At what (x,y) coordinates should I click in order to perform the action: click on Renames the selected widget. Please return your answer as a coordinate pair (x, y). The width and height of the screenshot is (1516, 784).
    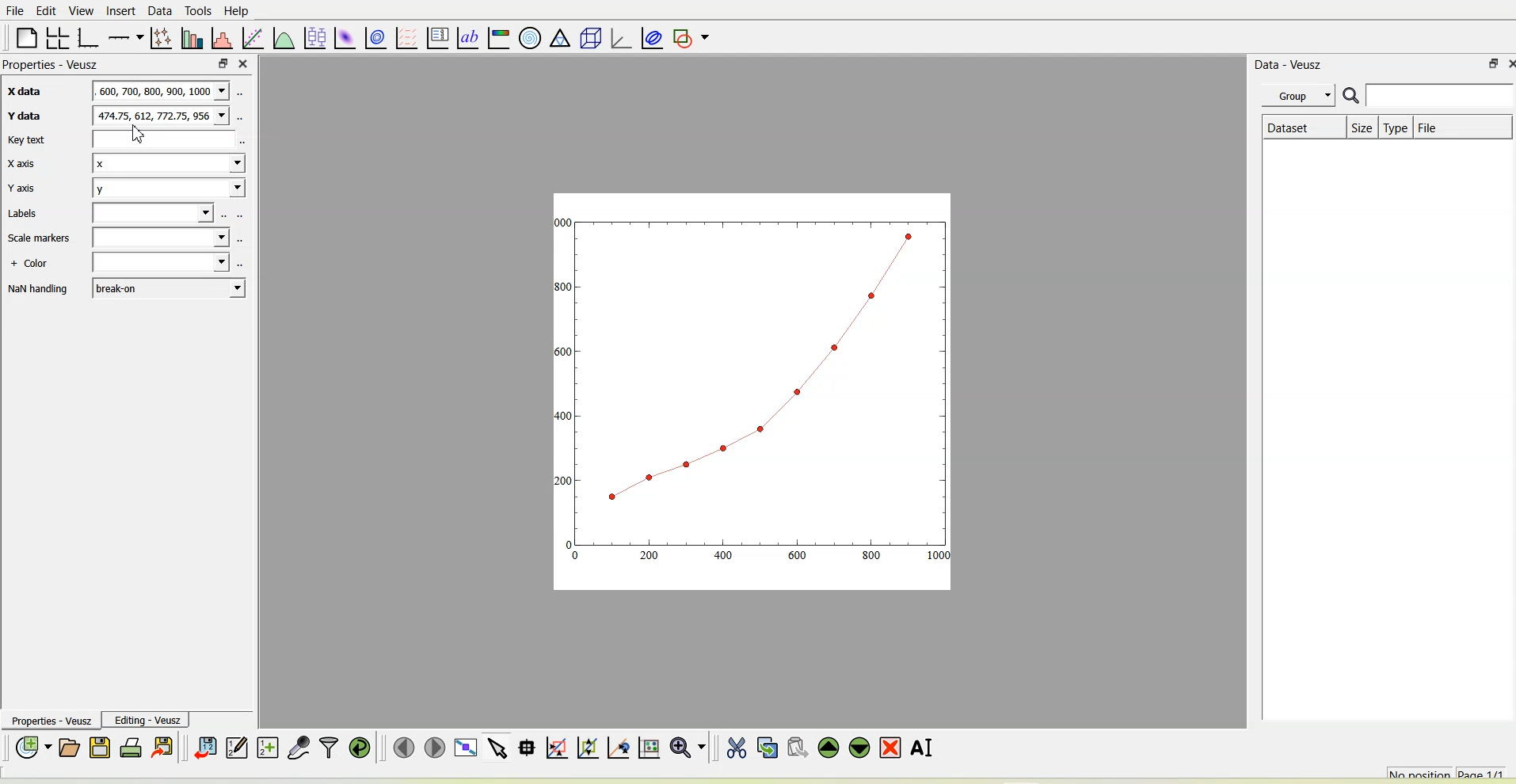
    Looking at the image, I should click on (921, 746).